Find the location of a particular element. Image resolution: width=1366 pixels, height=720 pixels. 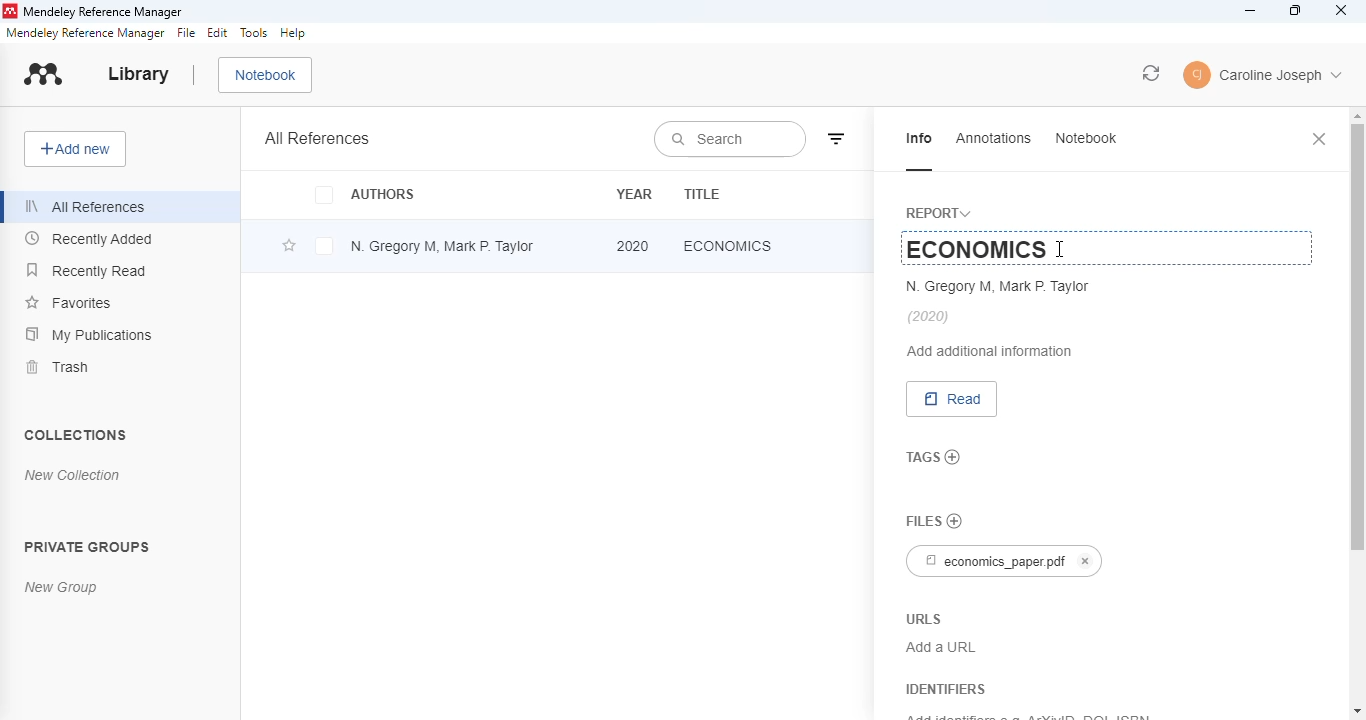

report is located at coordinates (942, 212).